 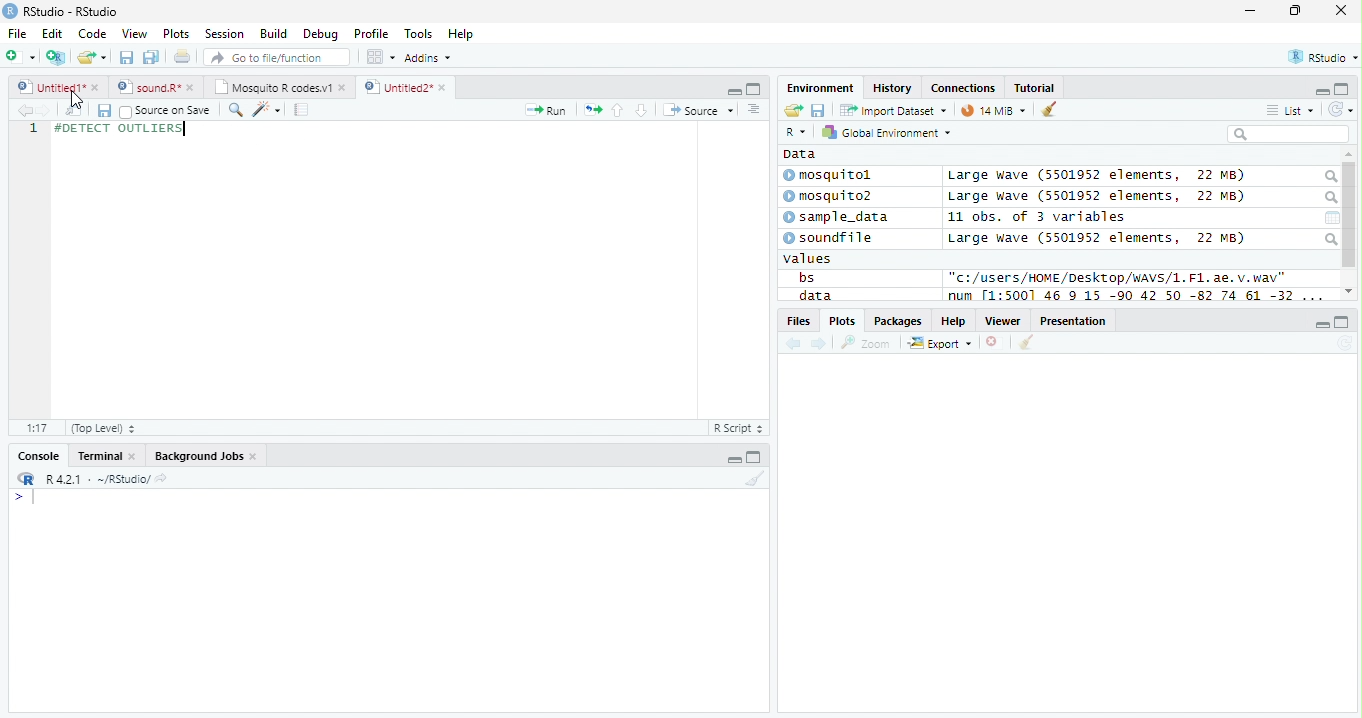 I want to click on Full screen, so click(x=753, y=89).